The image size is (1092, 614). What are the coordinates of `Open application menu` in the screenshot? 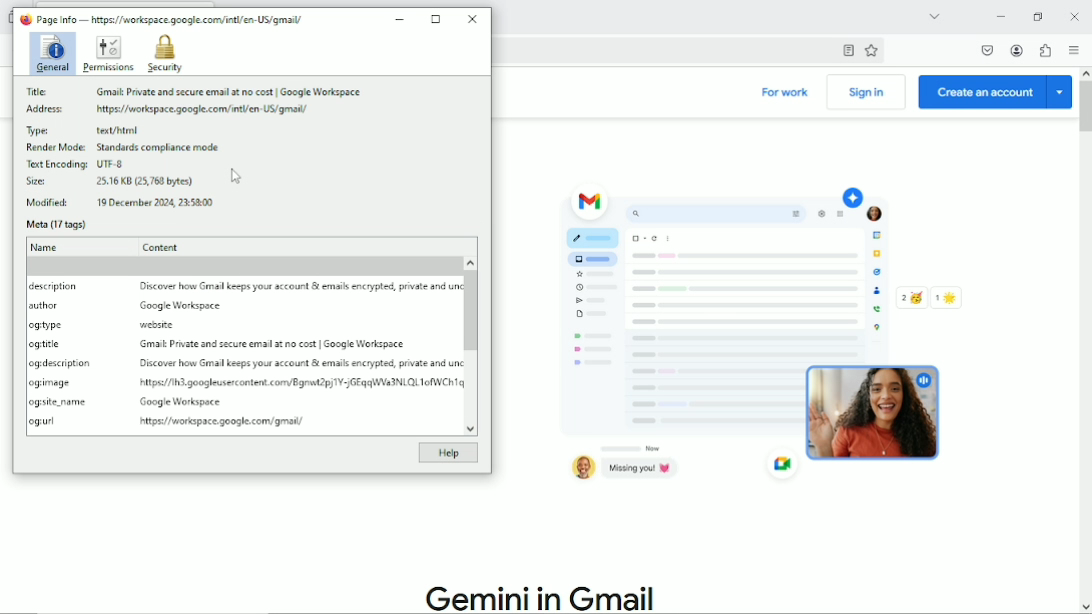 It's located at (1074, 49).